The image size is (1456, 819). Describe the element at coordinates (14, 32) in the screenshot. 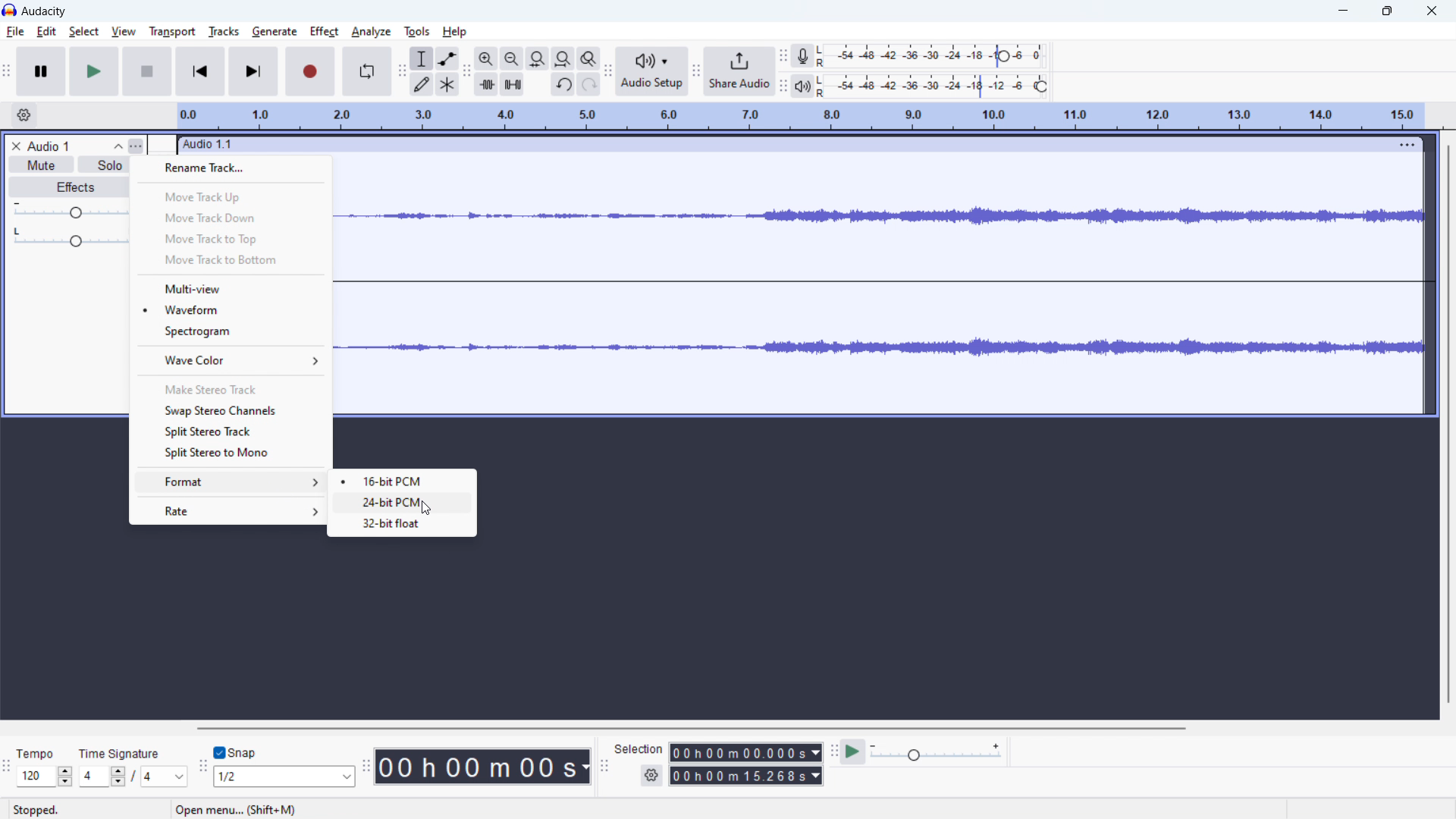

I see `file` at that location.